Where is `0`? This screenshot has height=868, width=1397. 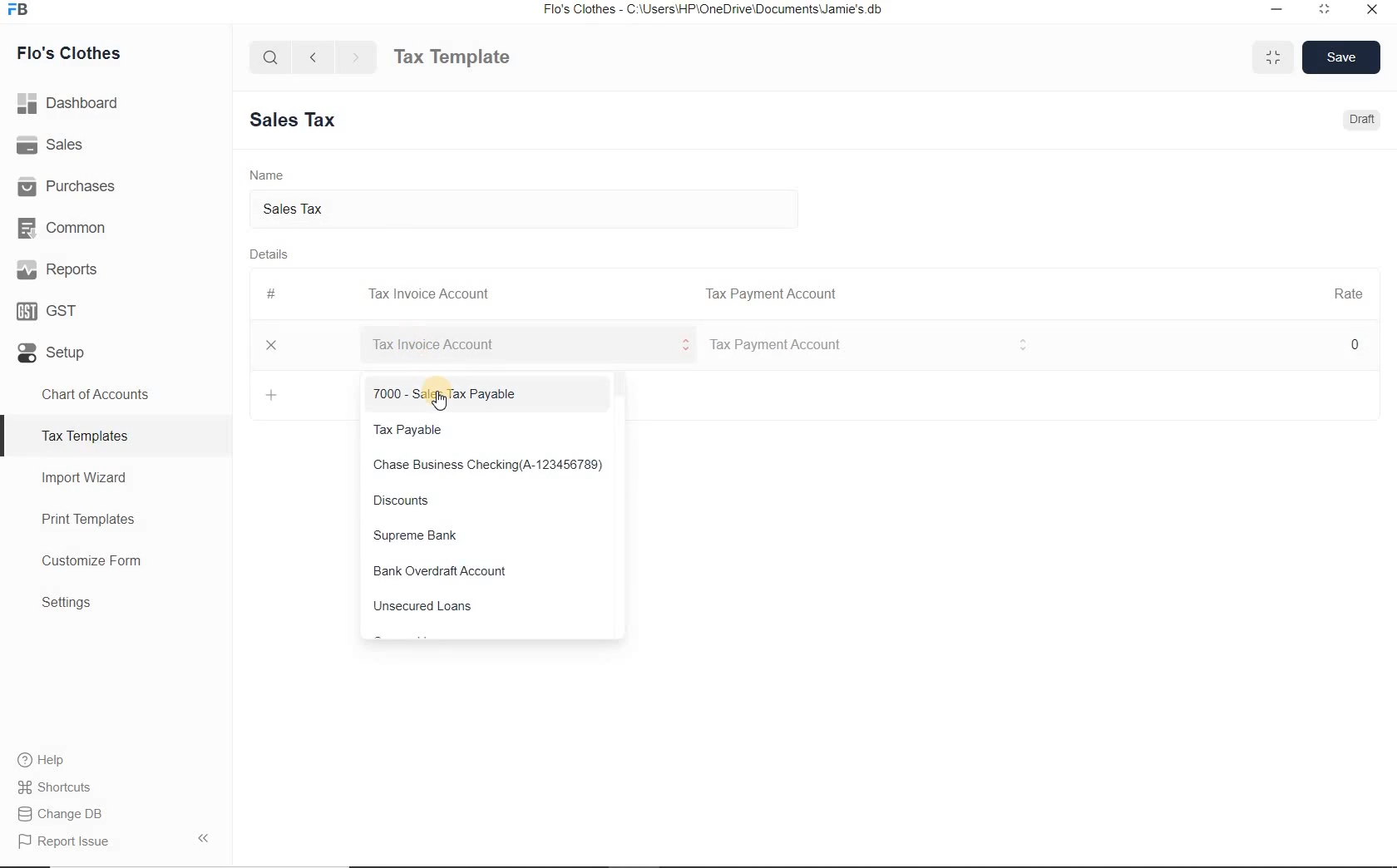
0 is located at coordinates (1356, 343).